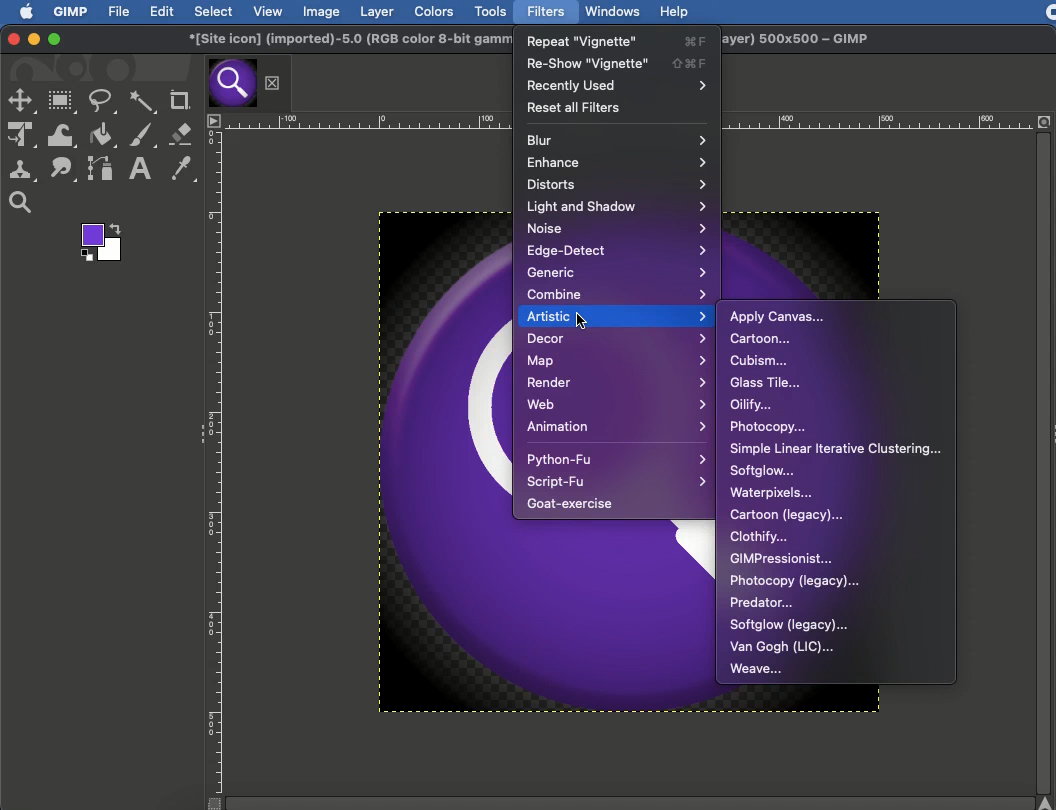 Image resolution: width=1056 pixels, height=810 pixels. Describe the element at coordinates (343, 40) in the screenshot. I see `GIMP project` at that location.